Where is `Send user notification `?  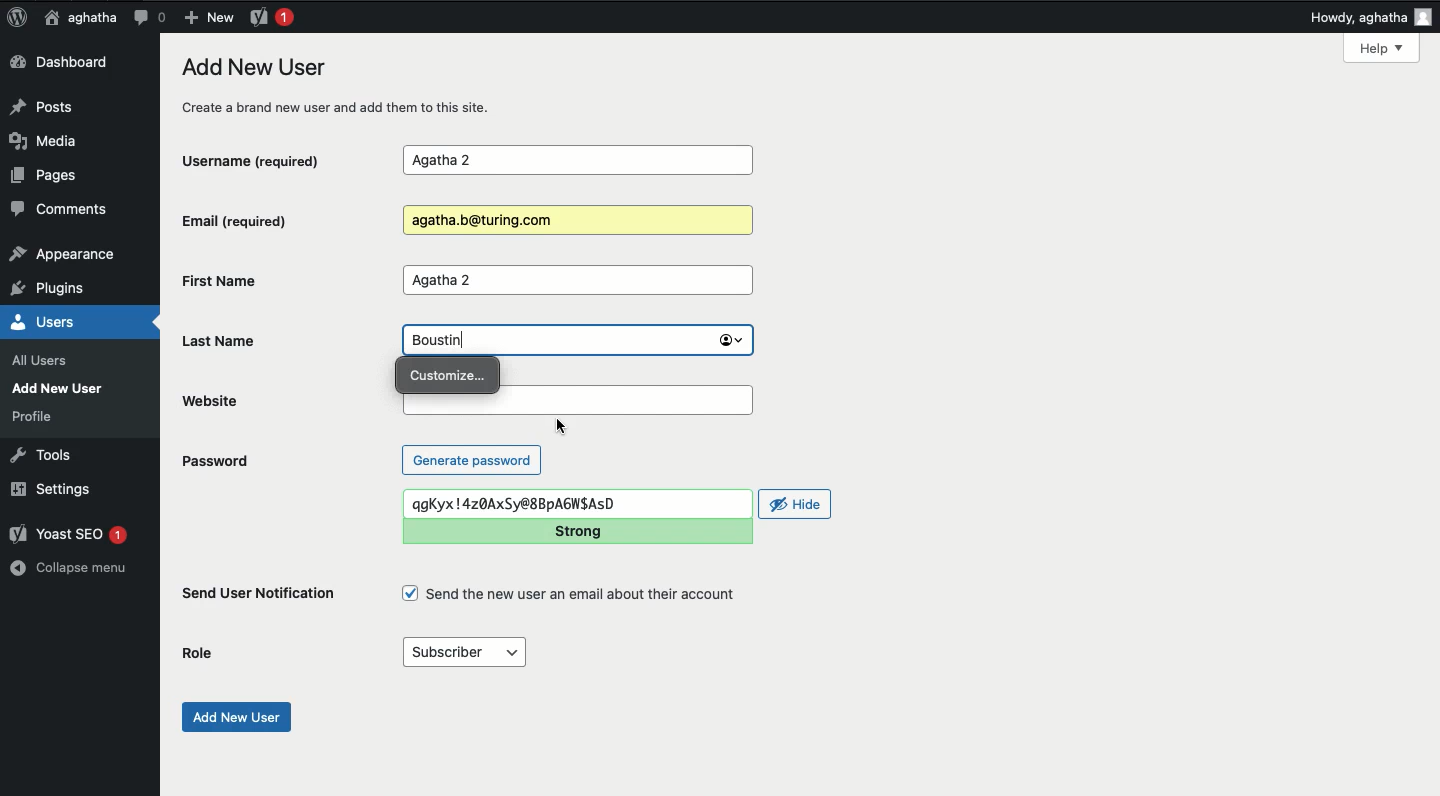 Send user notification  is located at coordinates (260, 597).